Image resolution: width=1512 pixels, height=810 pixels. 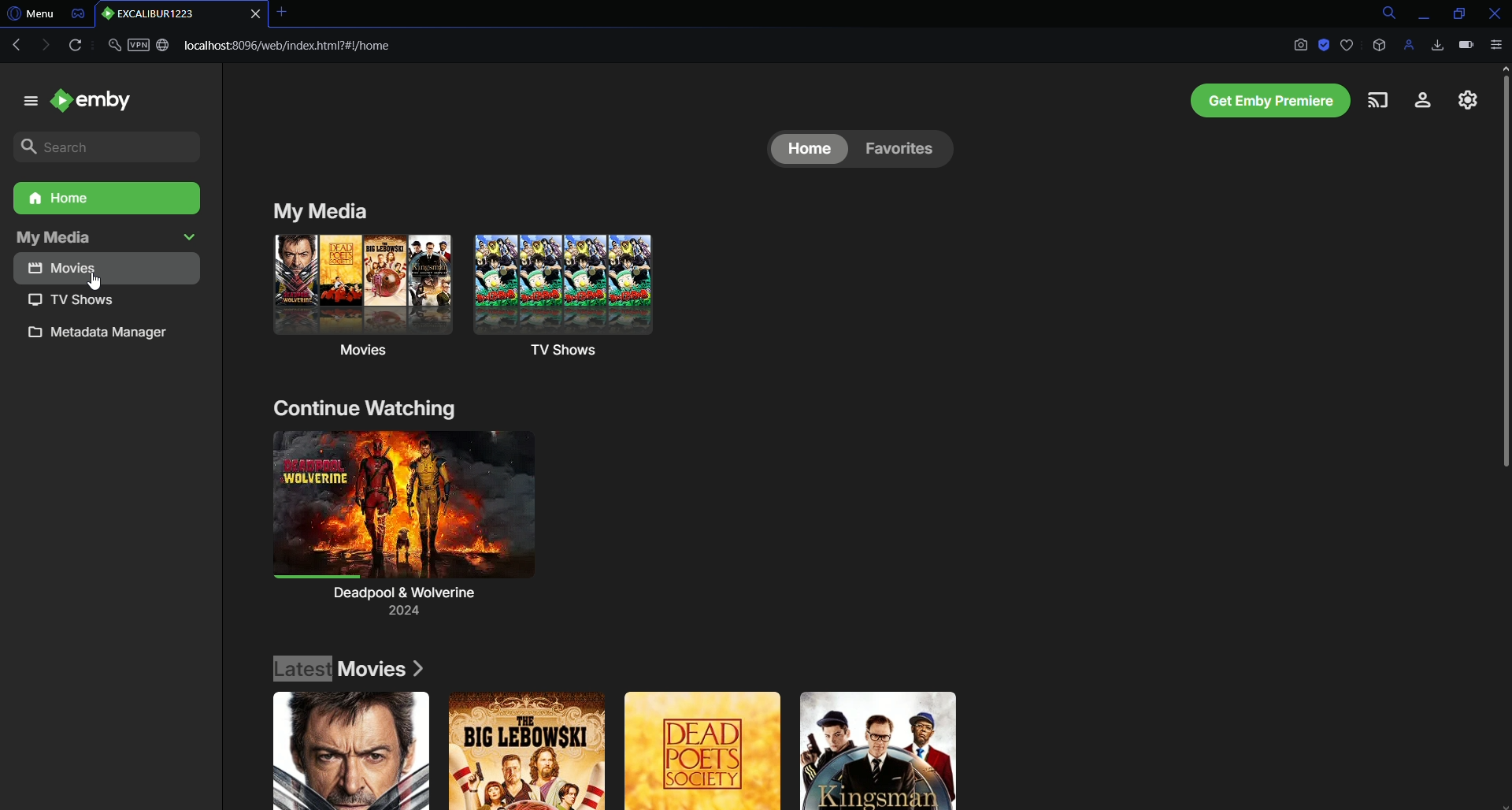 What do you see at coordinates (619, 749) in the screenshot?
I see `Movie Posters` at bounding box center [619, 749].